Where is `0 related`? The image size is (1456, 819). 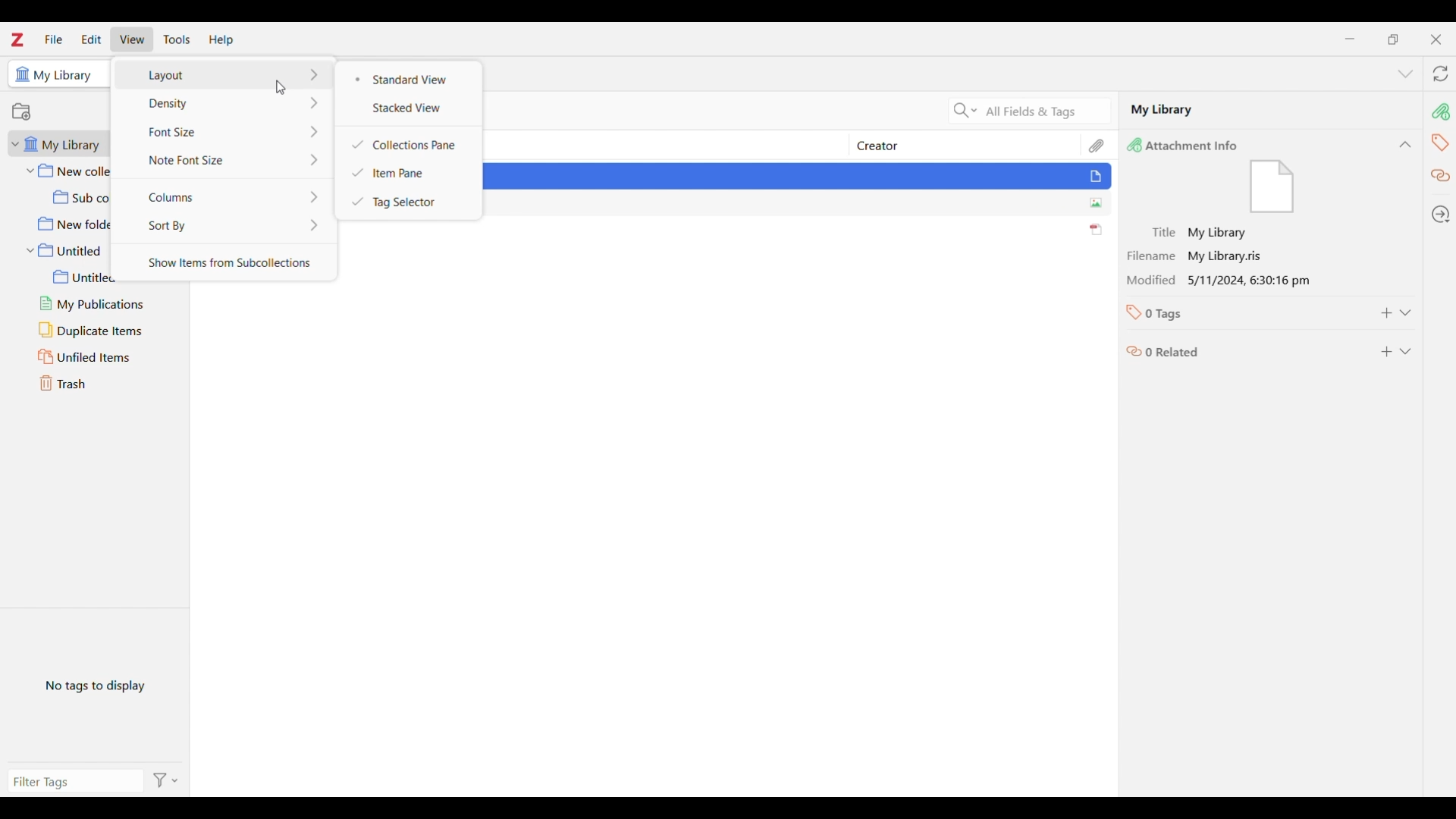
0 related is located at coordinates (1168, 353).